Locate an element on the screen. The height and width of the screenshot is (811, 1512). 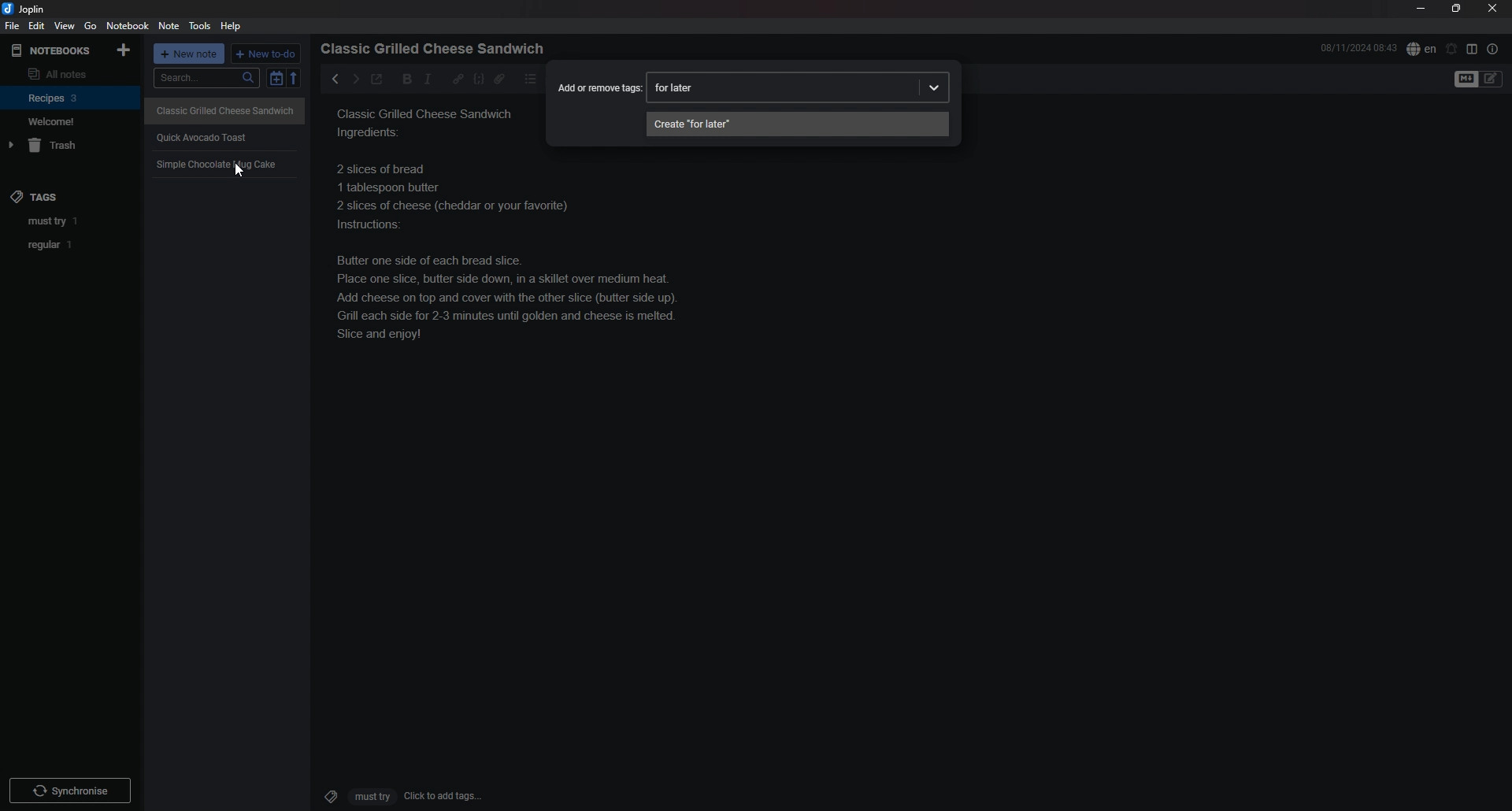
file is located at coordinates (11, 27).